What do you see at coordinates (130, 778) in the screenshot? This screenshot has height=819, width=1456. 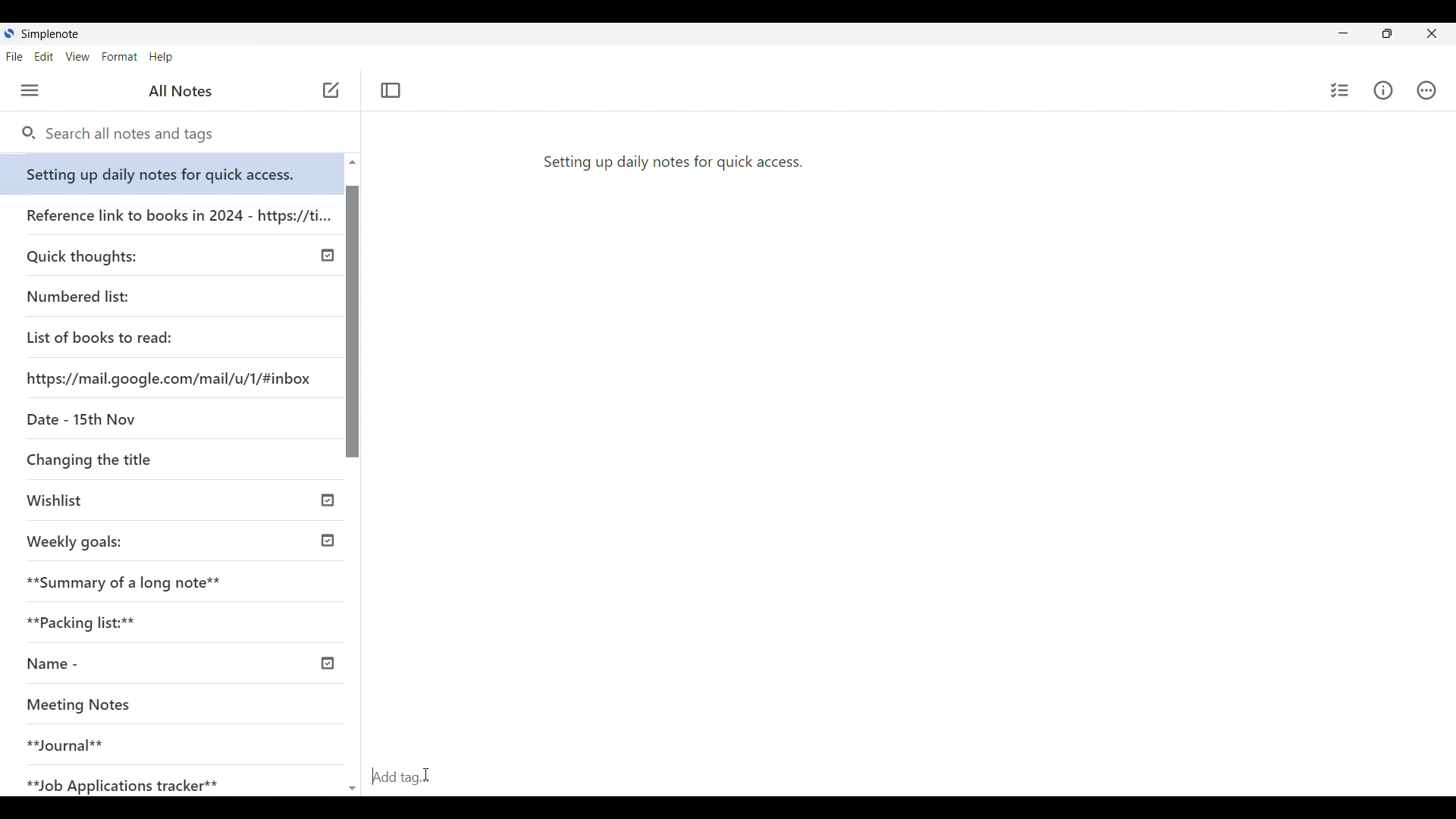 I see `Job Application tracker` at bounding box center [130, 778].